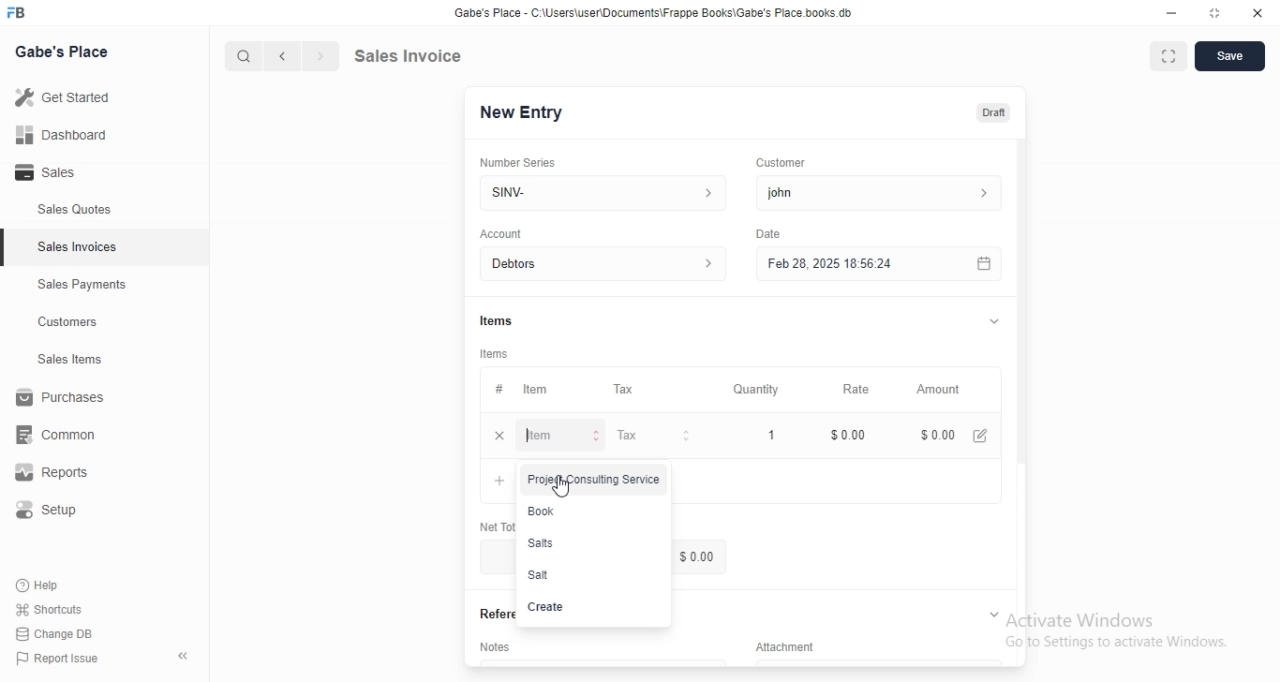 The image size is (1280, 682). Describe the element at coordinates (1163, 54) in the screenshot. I see `maximise` at that location.